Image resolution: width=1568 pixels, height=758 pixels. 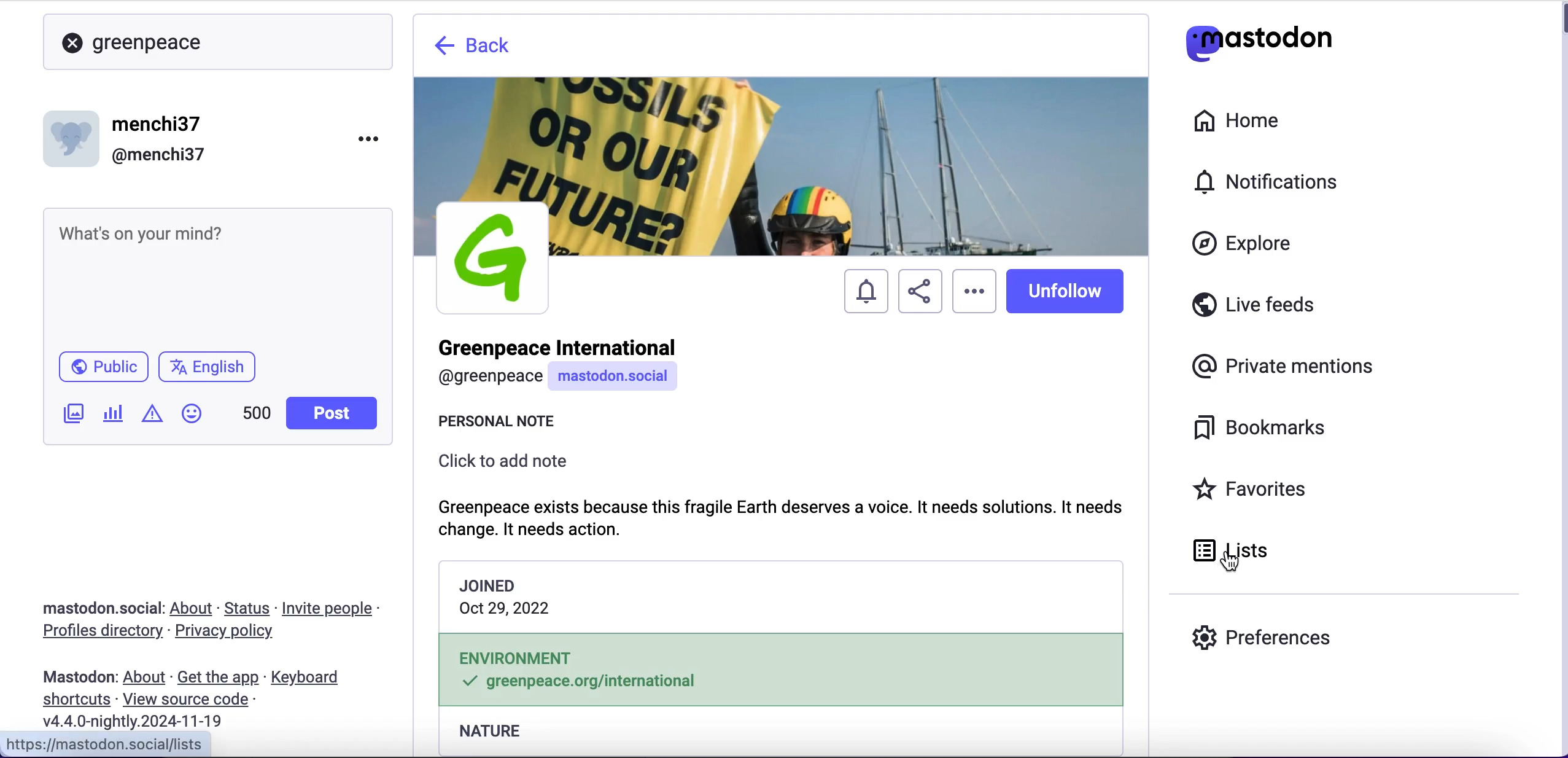 I want to click on click to add note, so click(x=505, y=463).